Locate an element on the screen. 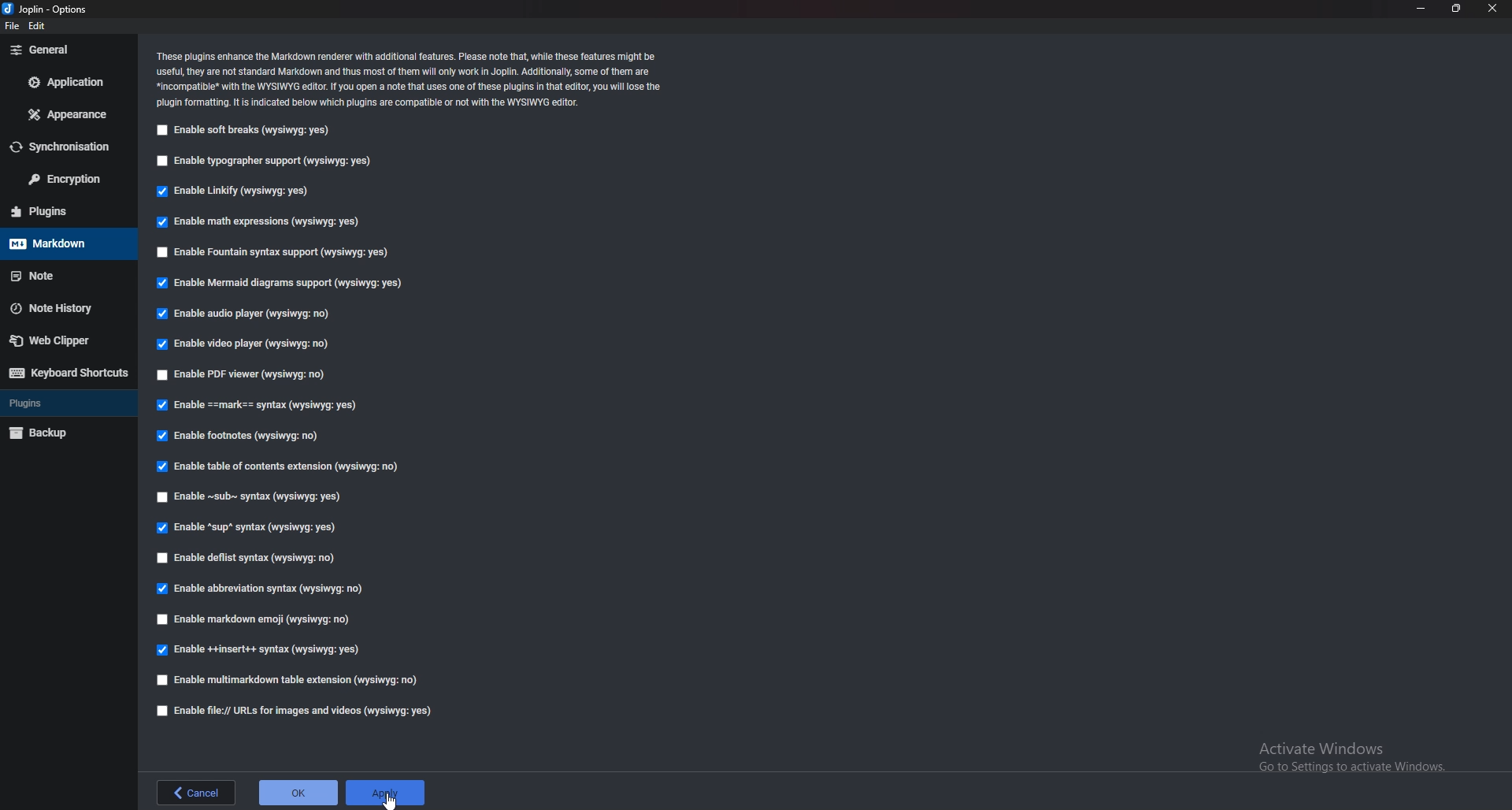 This screenshot has width=1512, height=810. ok is located at coordinates (298, 791).